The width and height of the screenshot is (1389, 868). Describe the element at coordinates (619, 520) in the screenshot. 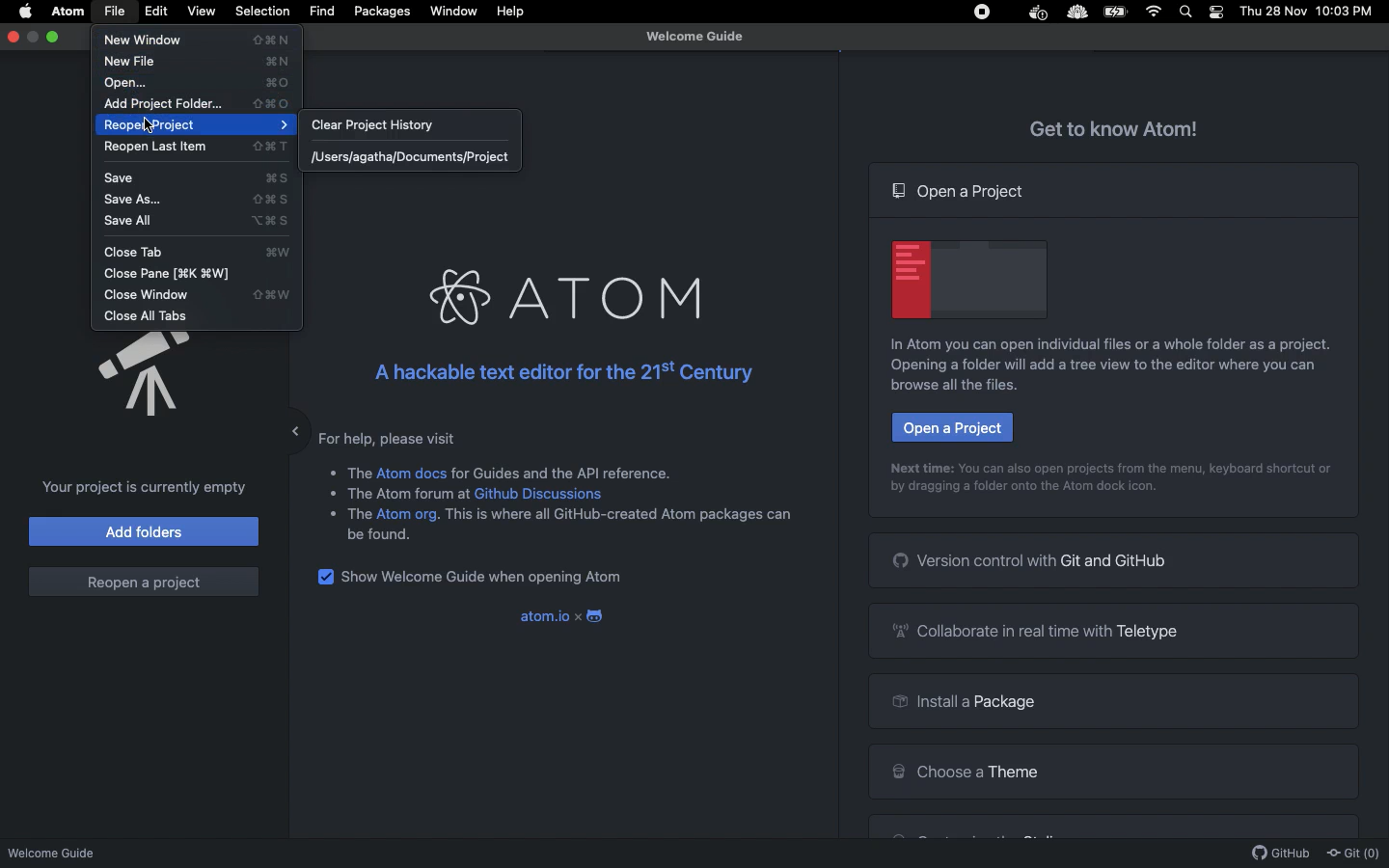

I see `text` at that location.